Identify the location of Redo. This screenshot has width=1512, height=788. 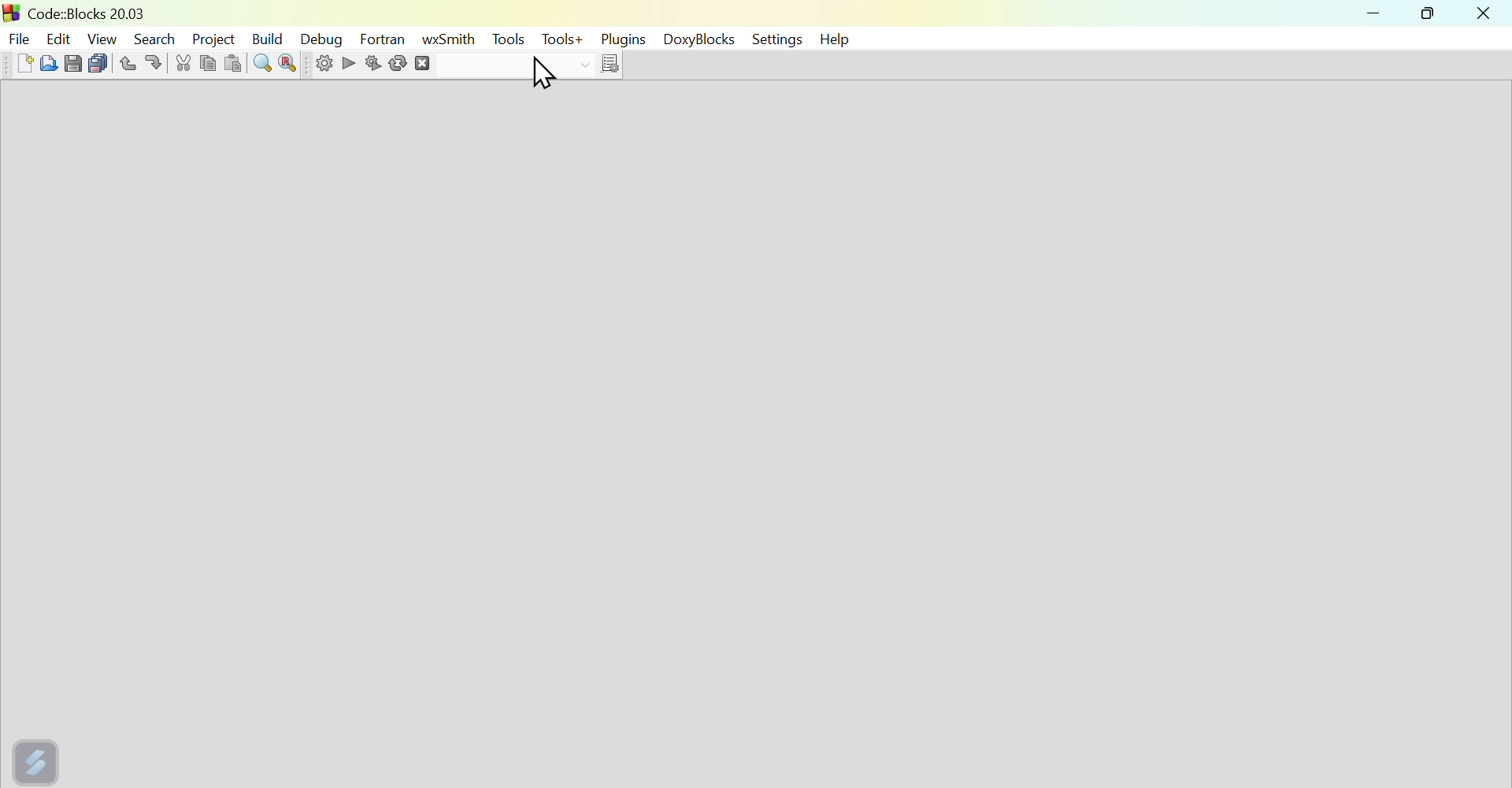
(159, 61).